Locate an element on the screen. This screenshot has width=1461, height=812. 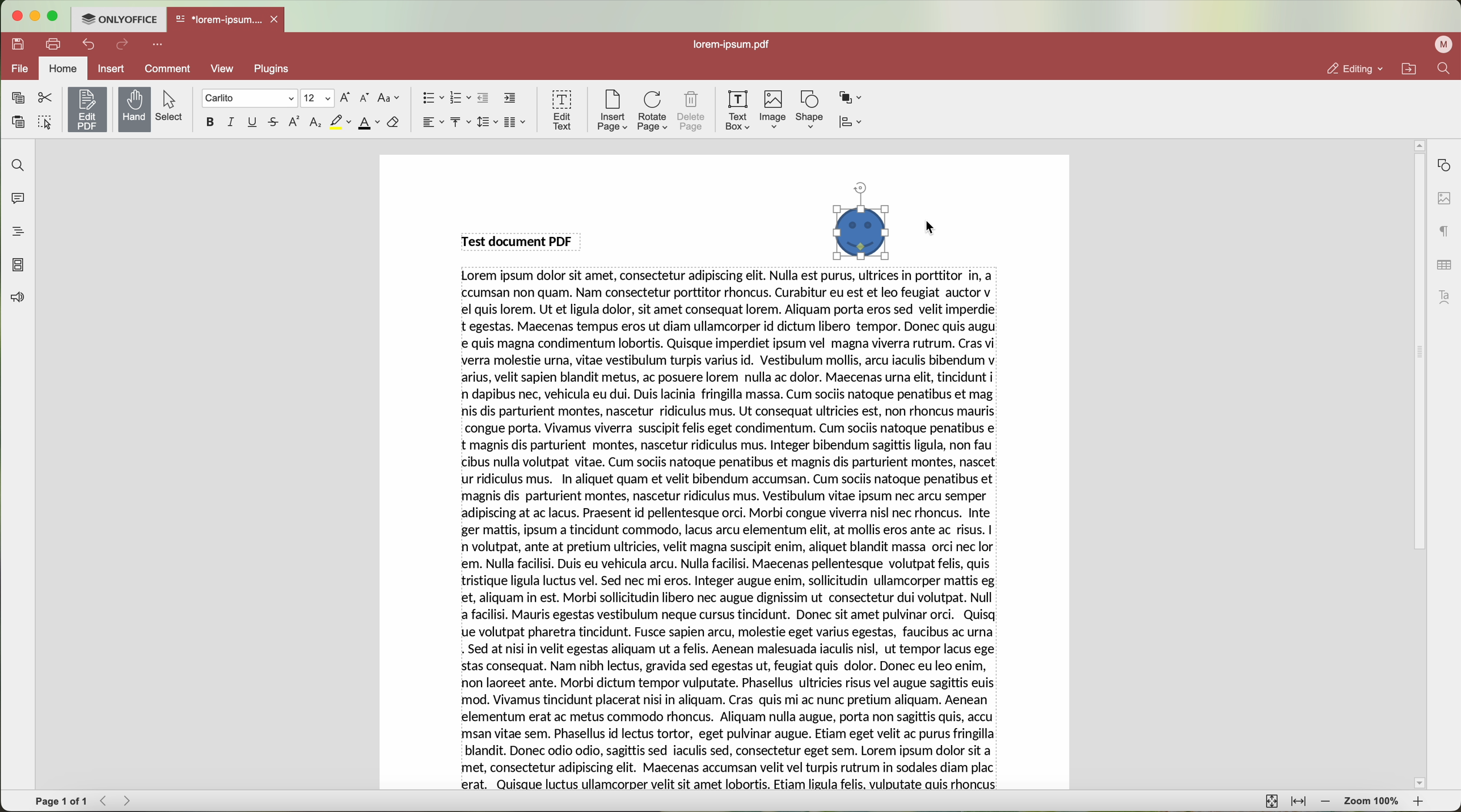
table settings is located at coordinates (1443, 263).